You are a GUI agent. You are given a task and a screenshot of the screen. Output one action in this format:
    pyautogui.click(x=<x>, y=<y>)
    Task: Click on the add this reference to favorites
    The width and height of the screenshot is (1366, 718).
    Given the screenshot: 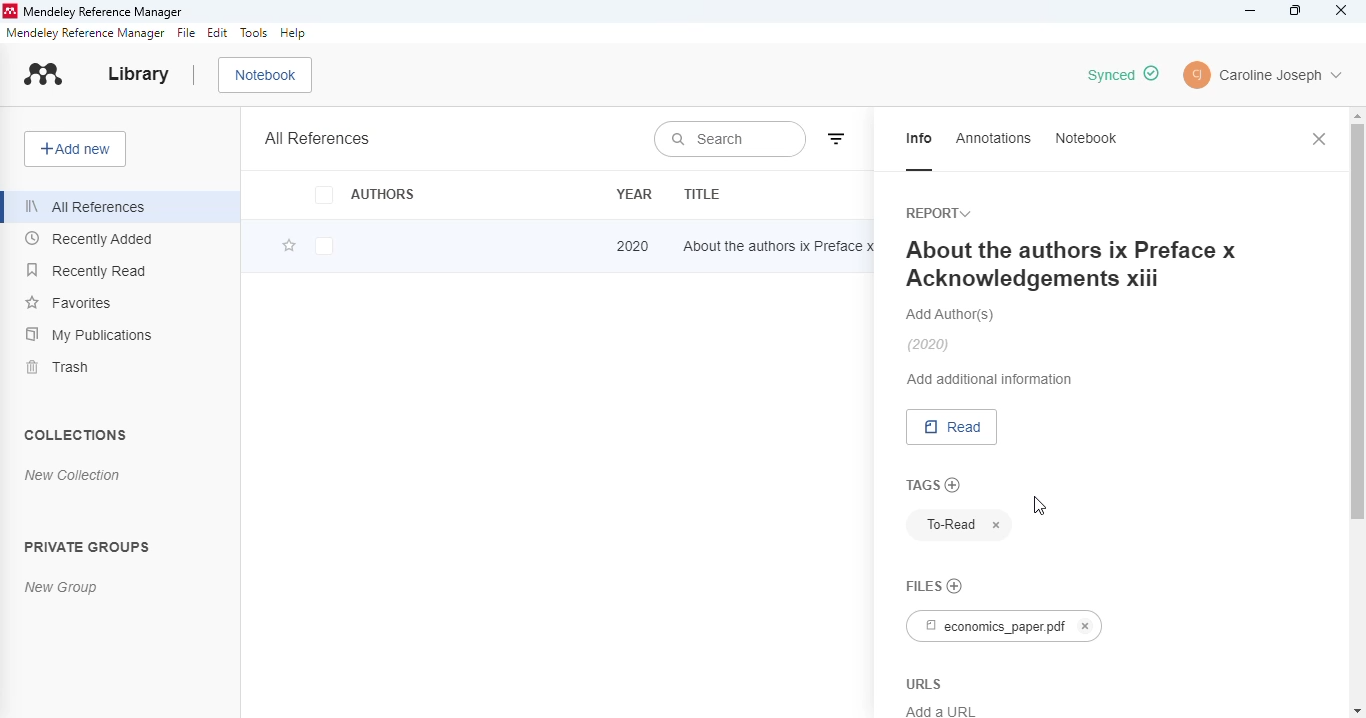 What is the action you would take?
    pyautogui.click(x=289, y=246)
    